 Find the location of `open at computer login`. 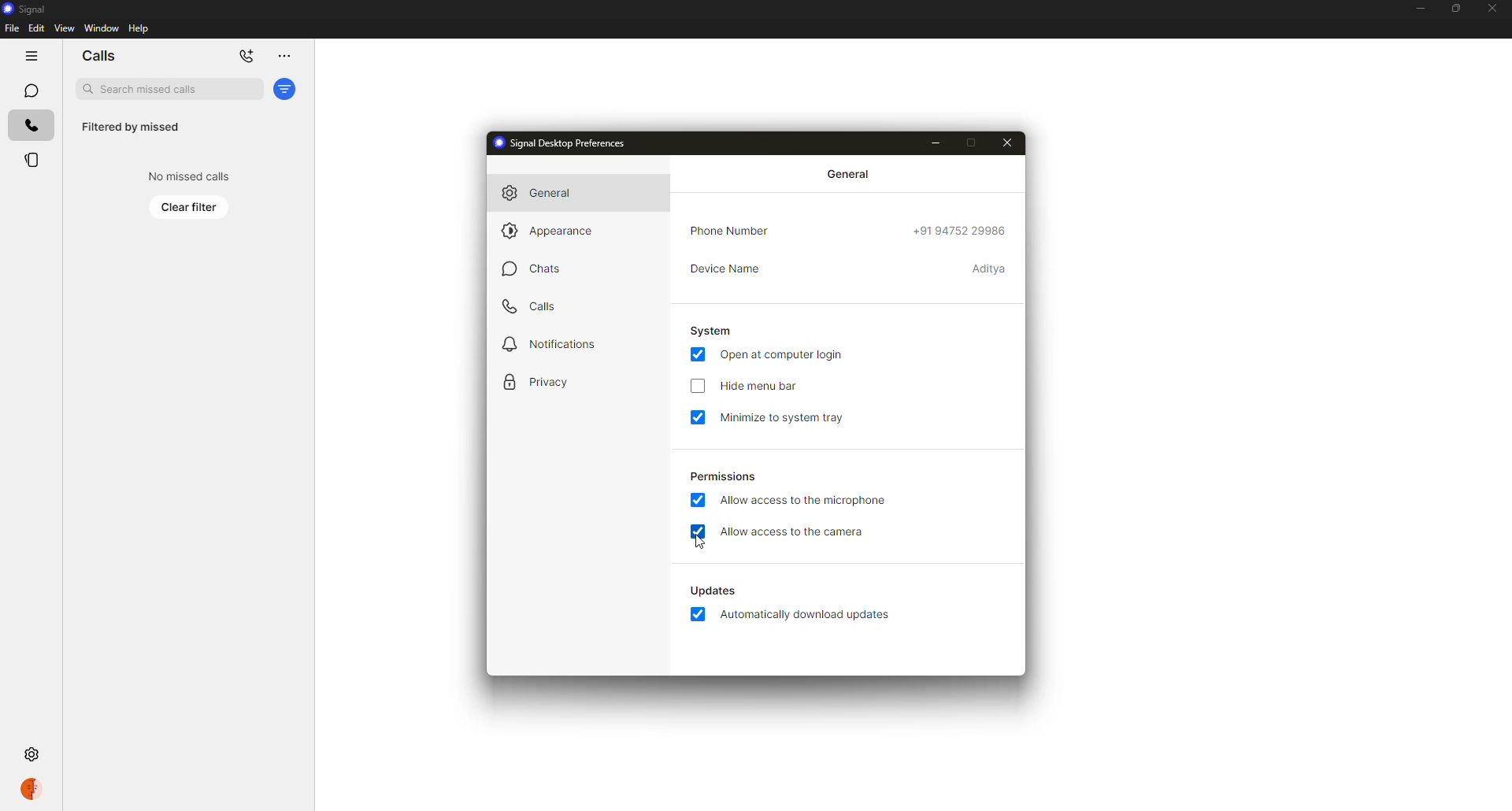

open at computer login is located at coordinates (783, 355).